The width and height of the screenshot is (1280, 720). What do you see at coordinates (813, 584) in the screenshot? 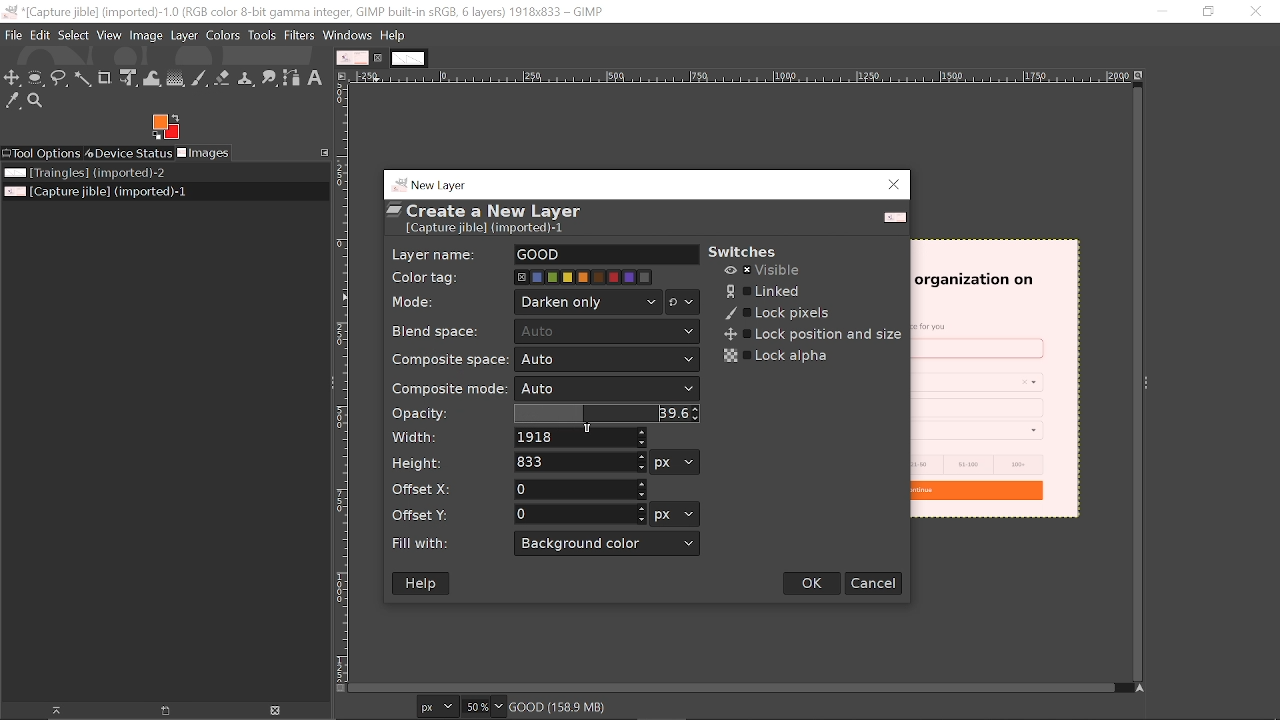
I see `Ok` at bounding box center [813, 584].